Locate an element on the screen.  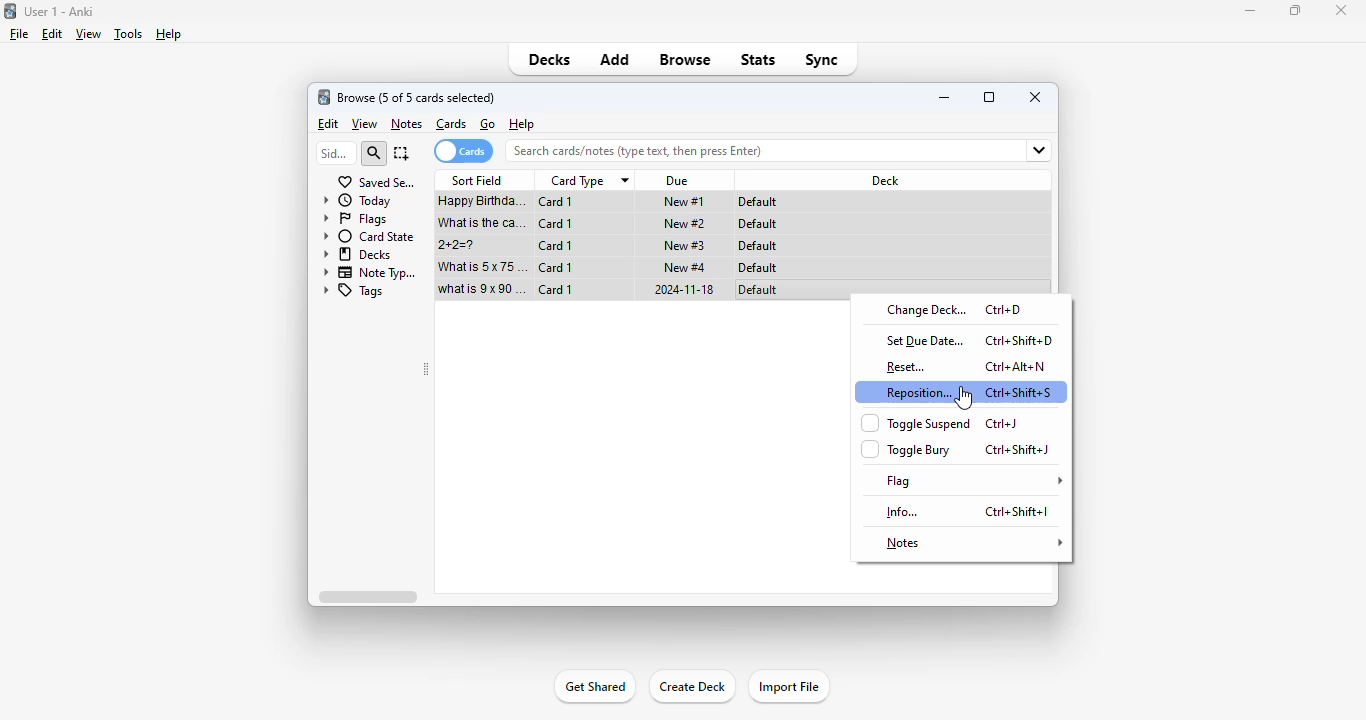
default is located at coordinates (757, 224).